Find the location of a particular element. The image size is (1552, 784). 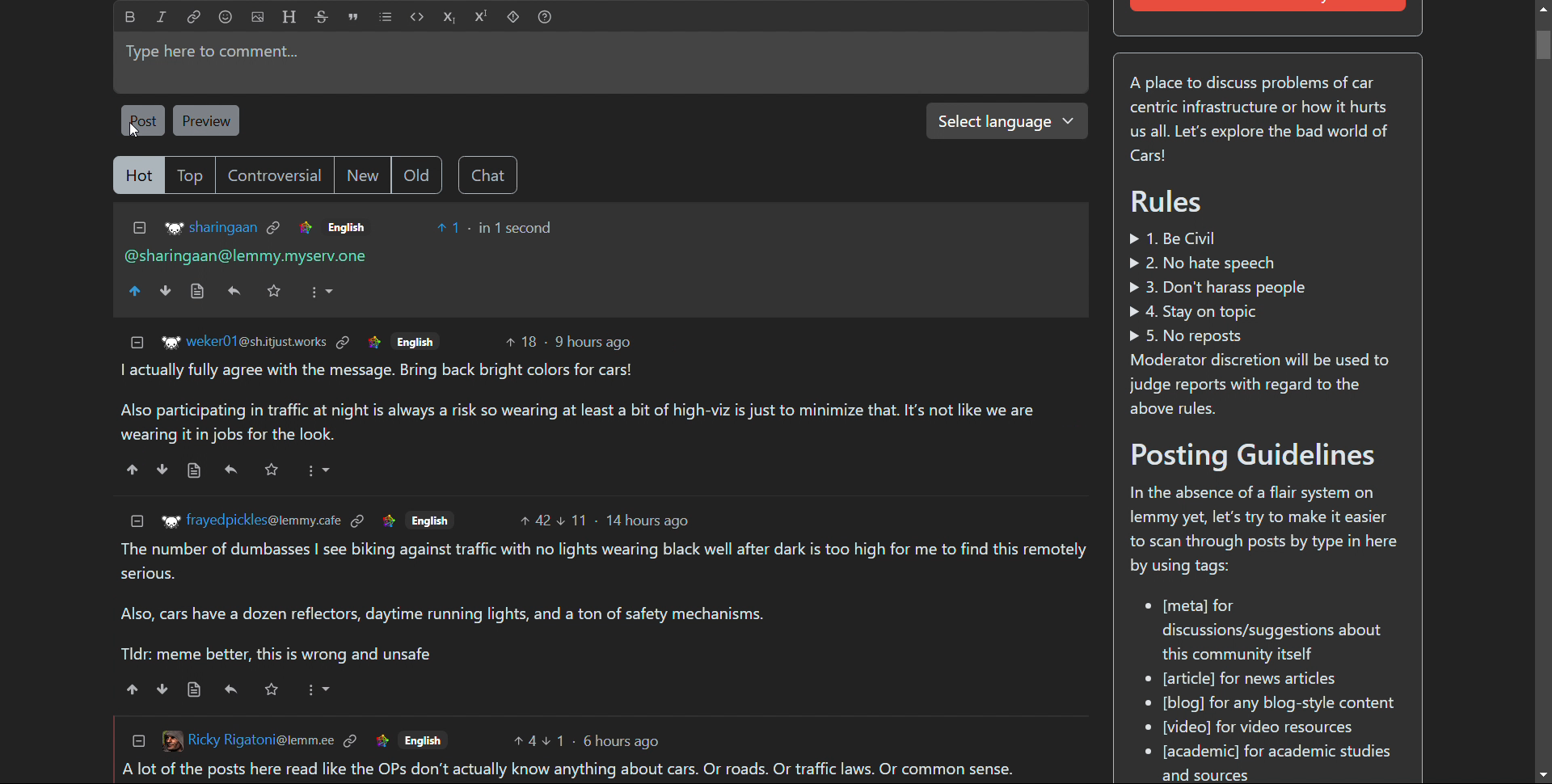

list is located at coordinates (386, 17).